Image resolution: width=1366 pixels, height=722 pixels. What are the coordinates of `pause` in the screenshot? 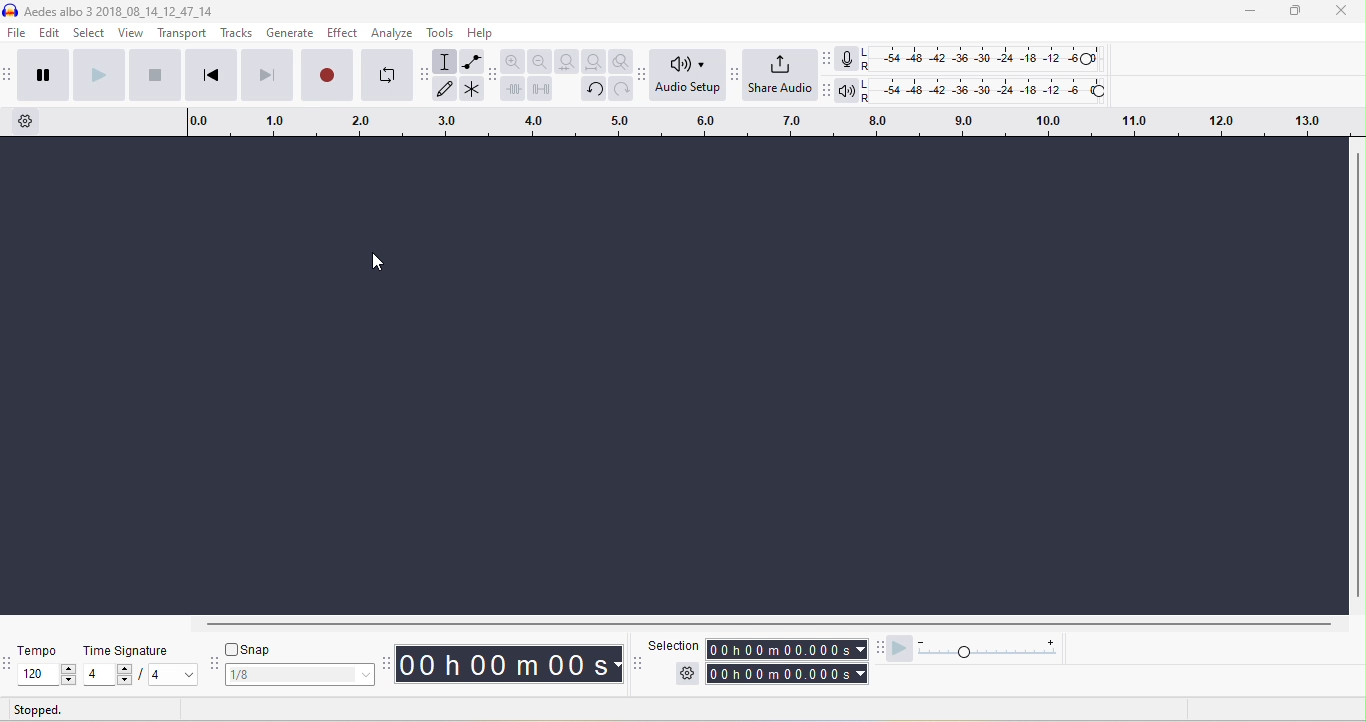 It's located at (43, 73).